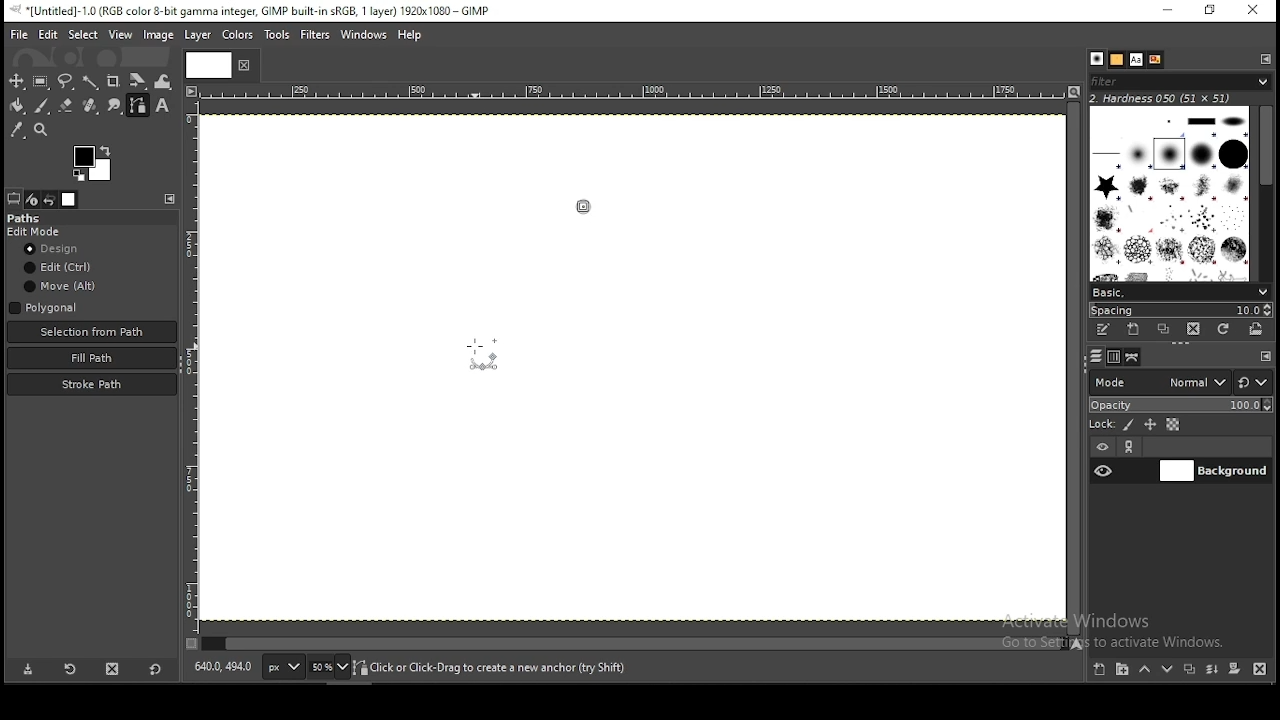 The height and width of the screenshot is (720, 1280). Describe the element at coordinates (1268, 356) in the screenshot. I see `configure this tab` at that location.